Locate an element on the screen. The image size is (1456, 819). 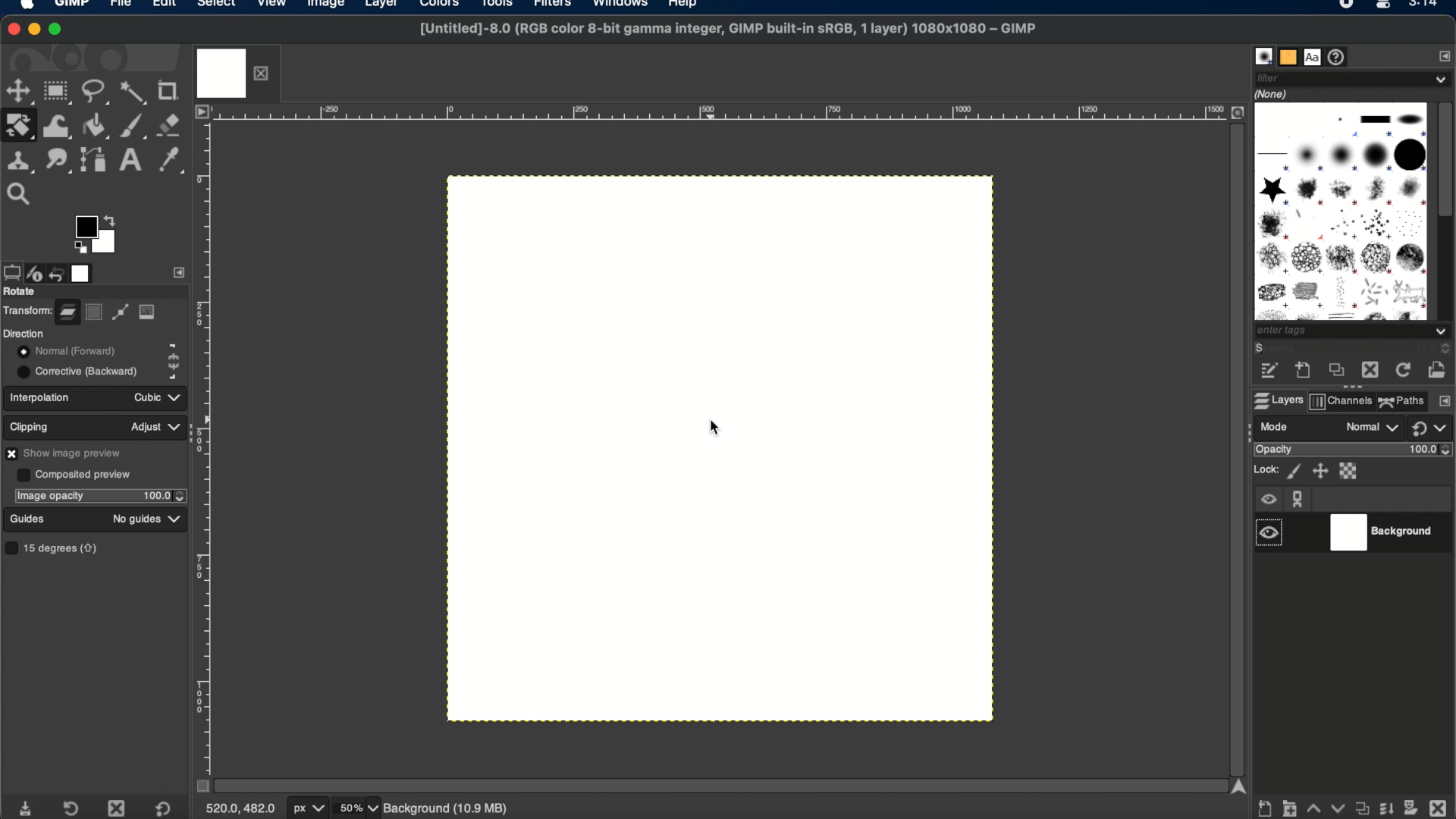
warp transform is located at coordinates (56, 124).